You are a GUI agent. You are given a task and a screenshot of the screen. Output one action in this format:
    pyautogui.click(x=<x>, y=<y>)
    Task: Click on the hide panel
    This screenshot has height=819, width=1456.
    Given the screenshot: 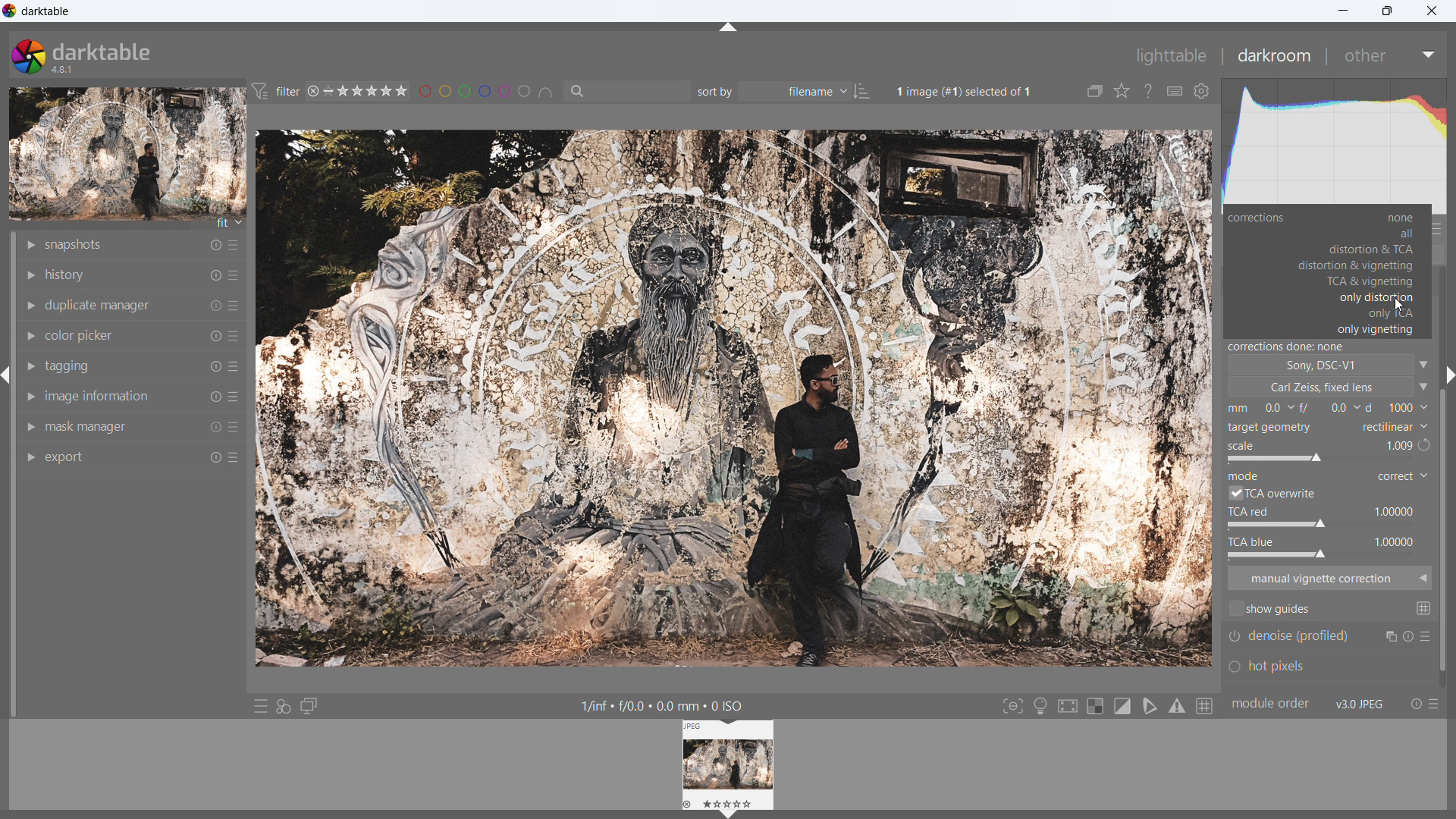 What is the action you would take?
    pyautogui.click(x=730, y=27)
    